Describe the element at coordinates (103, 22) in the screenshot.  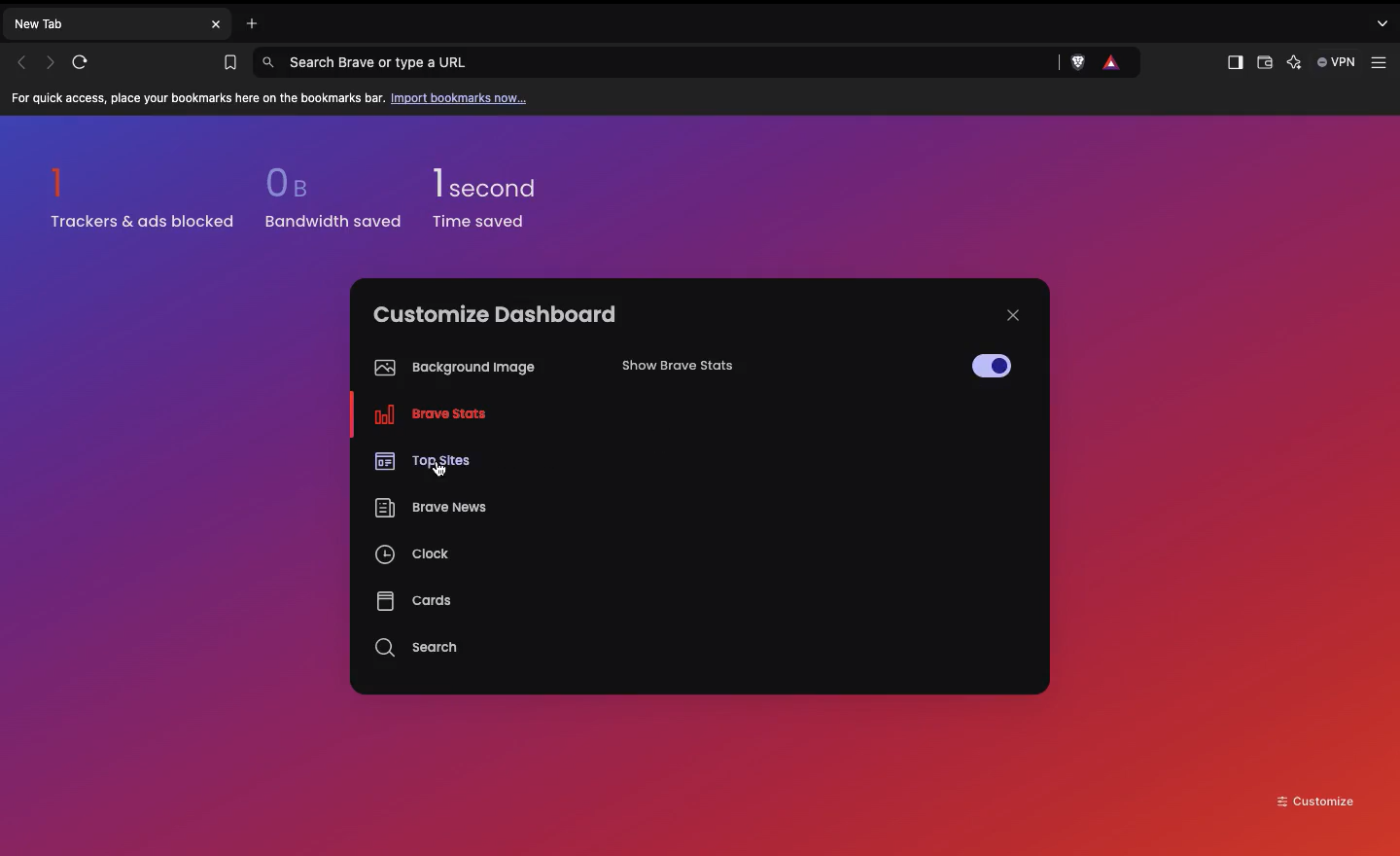
I see `New tab` at that location.